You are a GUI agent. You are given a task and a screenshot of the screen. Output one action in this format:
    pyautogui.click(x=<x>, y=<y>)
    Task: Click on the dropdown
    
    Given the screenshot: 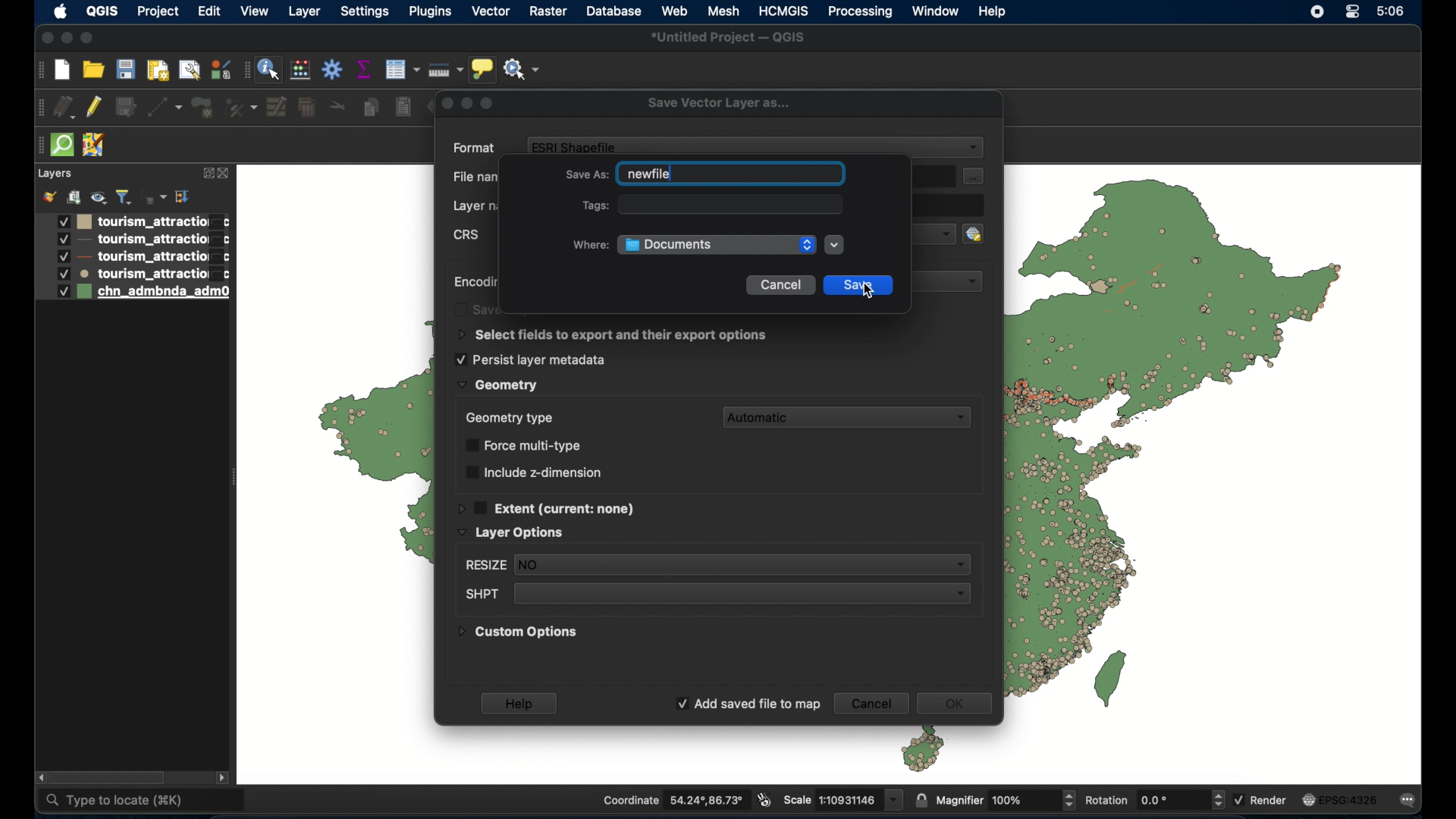 What is the action you would take?
    pyautogui.click(x=956, y=281)
    